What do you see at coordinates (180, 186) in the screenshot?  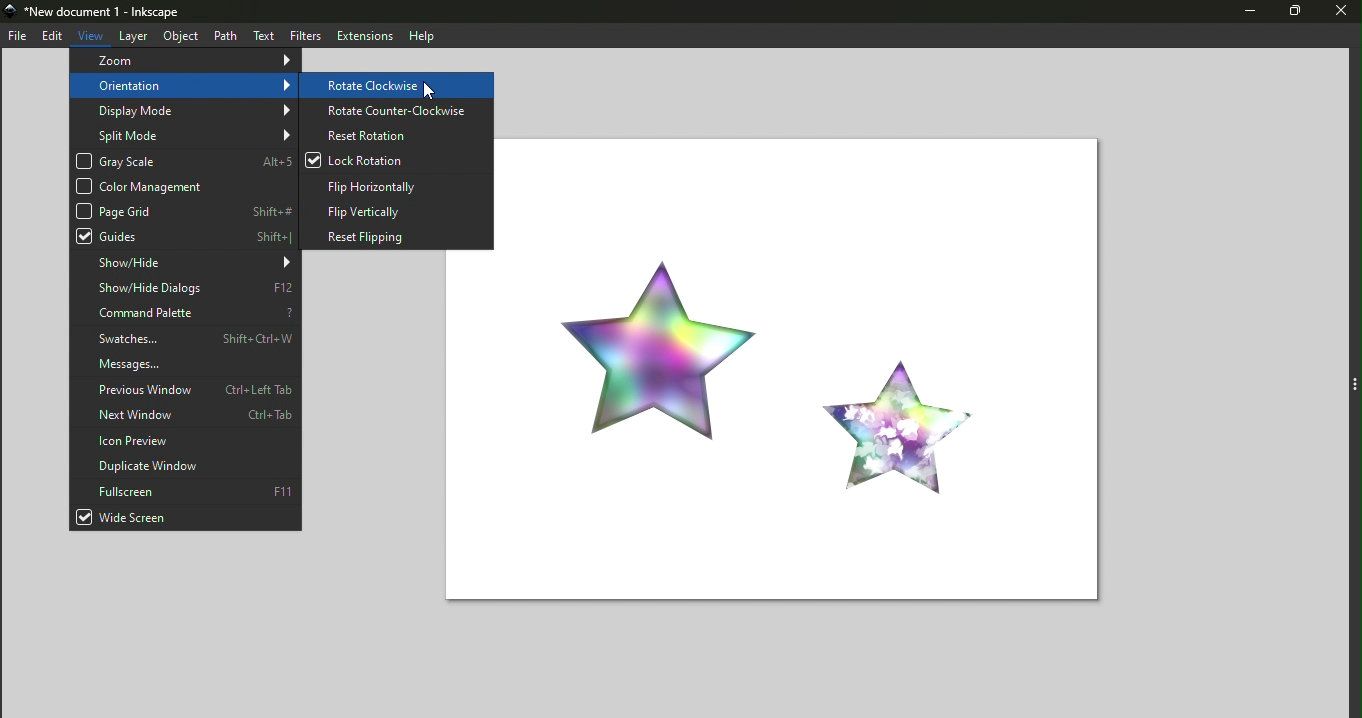 I see `Color management` at bounding box center [180, 186].